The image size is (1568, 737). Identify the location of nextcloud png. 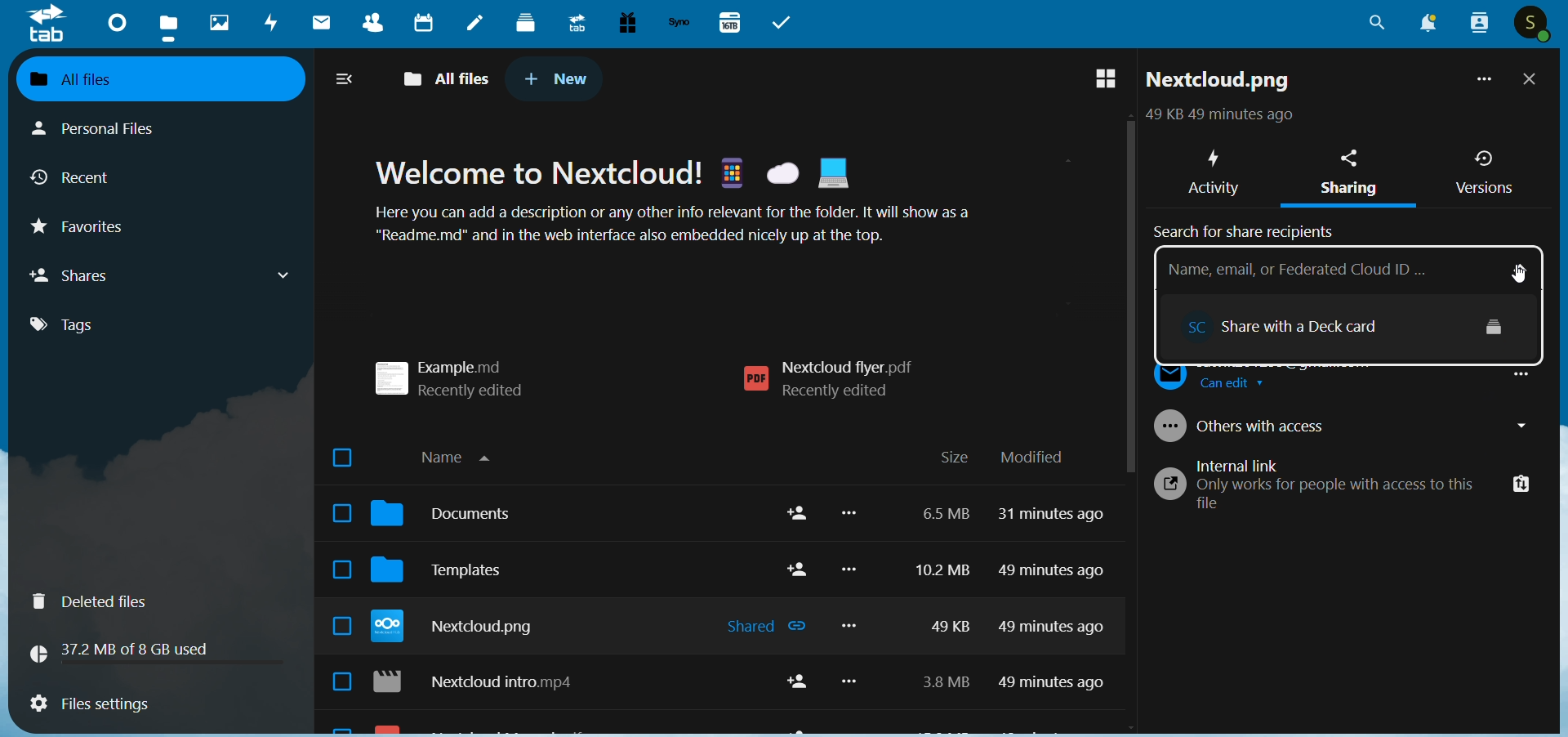
(461, 629).